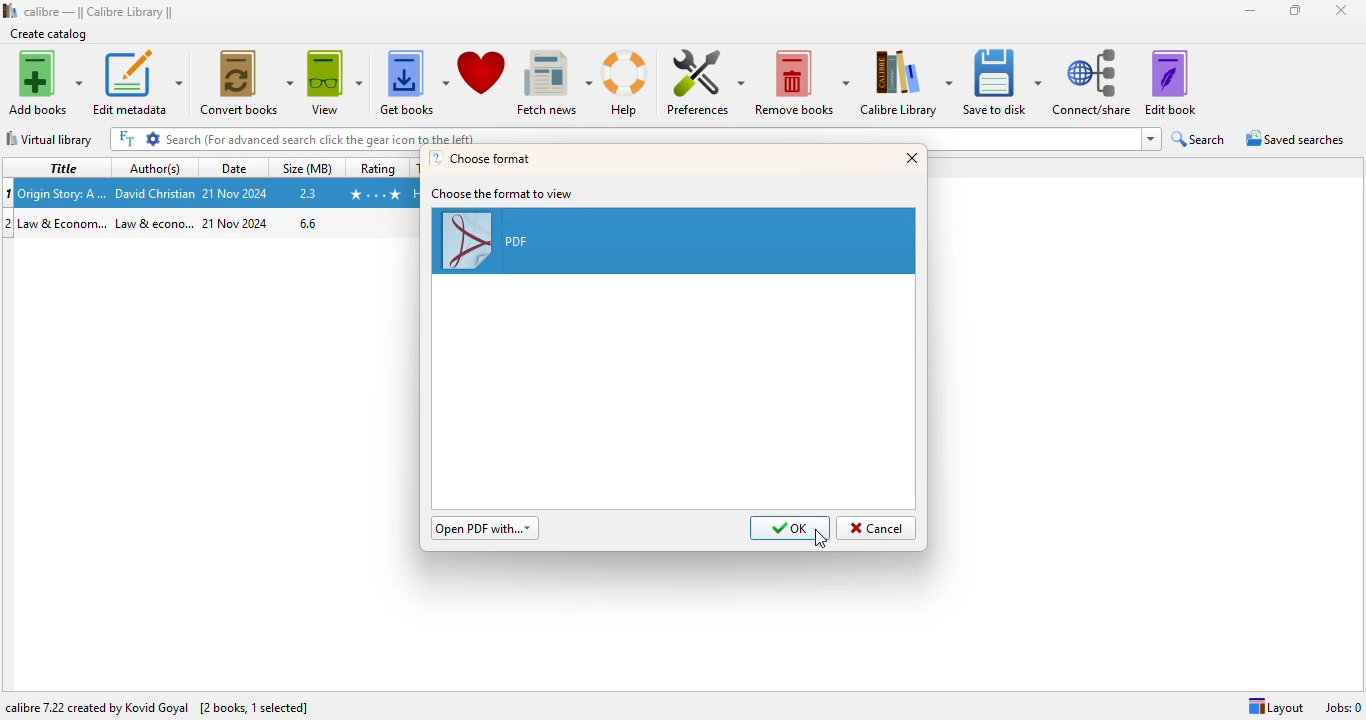 Image resolution: width=1366 pixels, height=720 pixels. What do you see at coordinates (1295, 11) in the screenshot?
I see `maximize` at bounding box center [1295, 11].